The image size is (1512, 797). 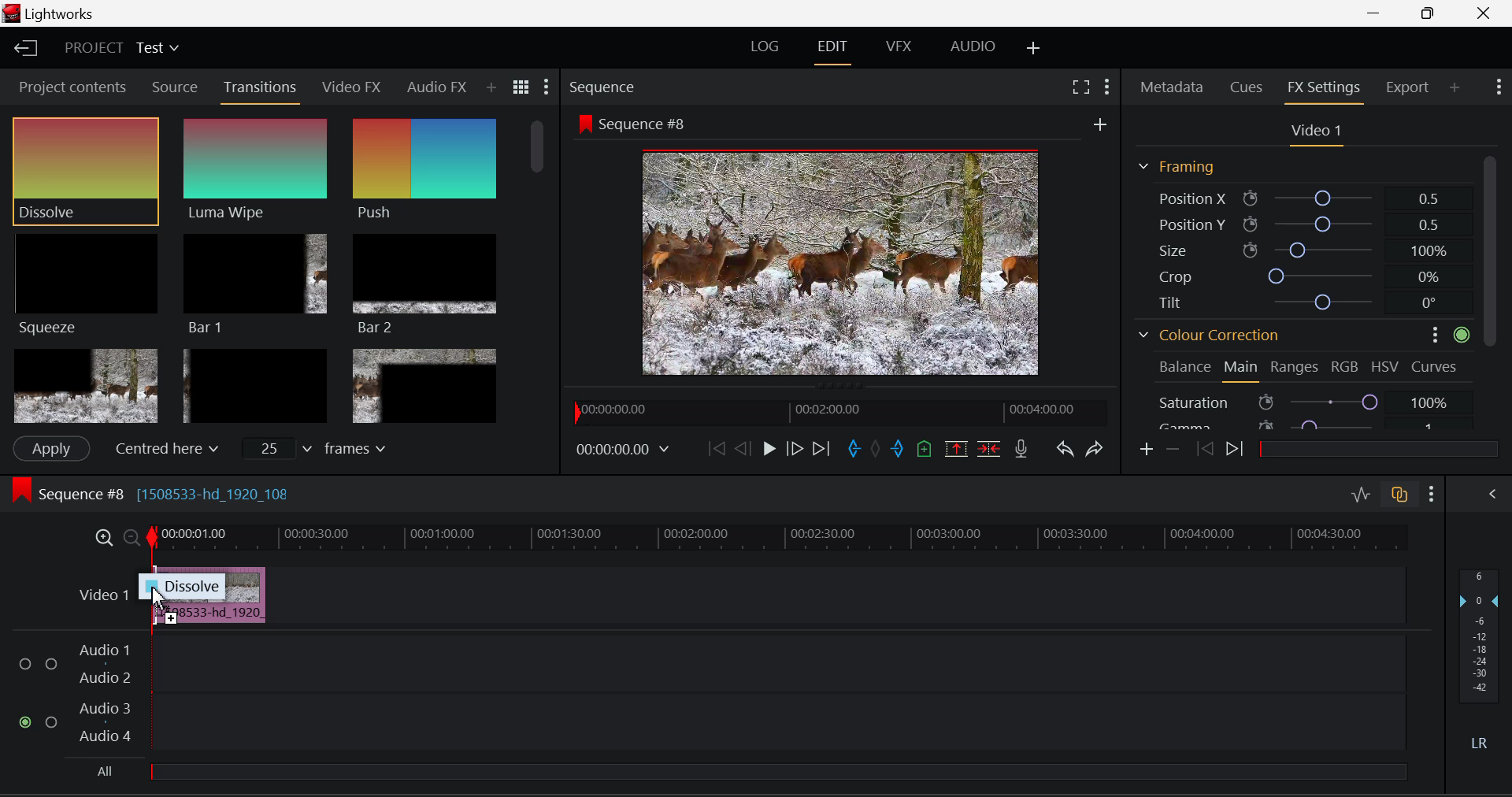 I want to click on Audio Input Checkbox, so click(x=24, y=665).